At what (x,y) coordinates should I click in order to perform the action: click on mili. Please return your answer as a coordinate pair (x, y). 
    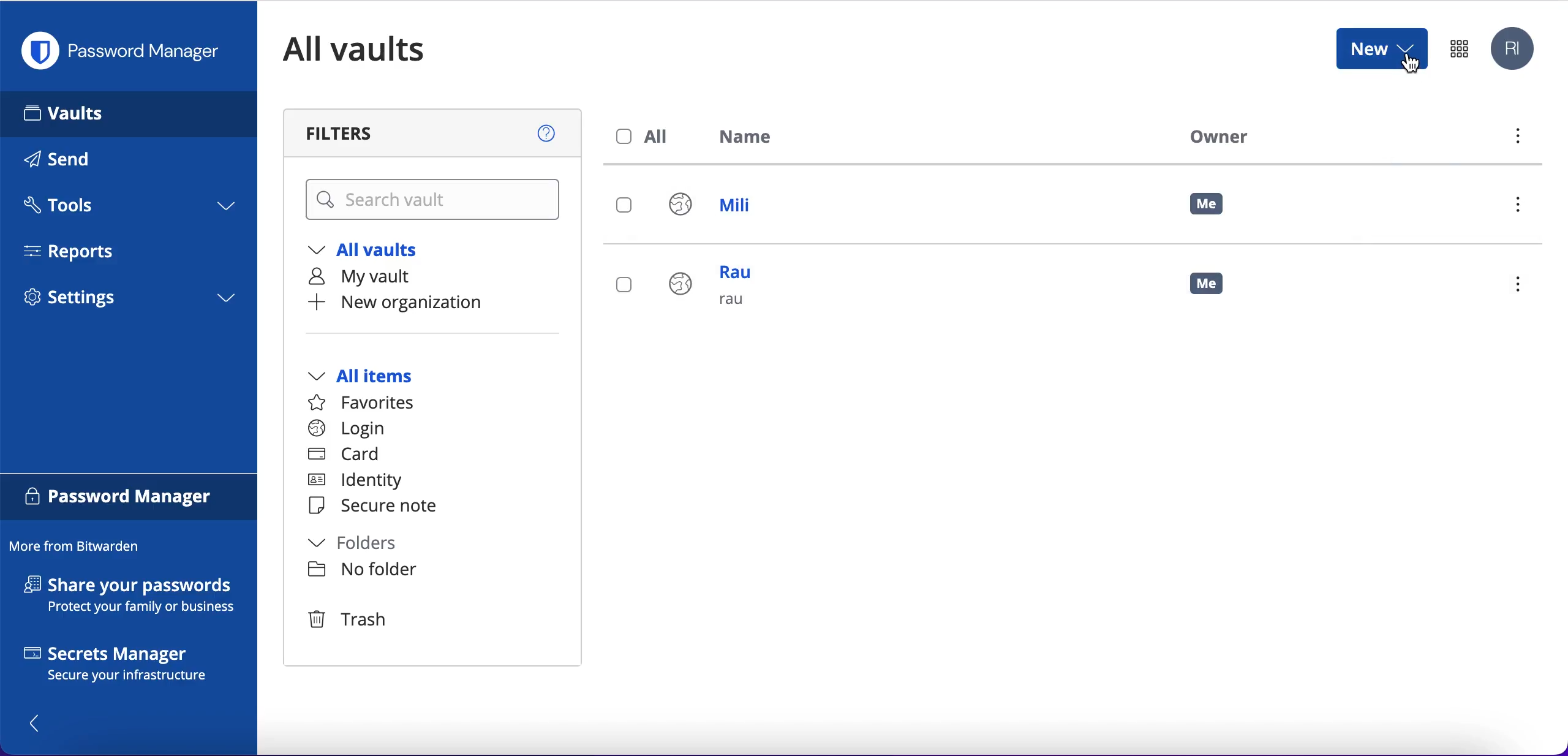
    Looking at the image, I should click on (722, 208).